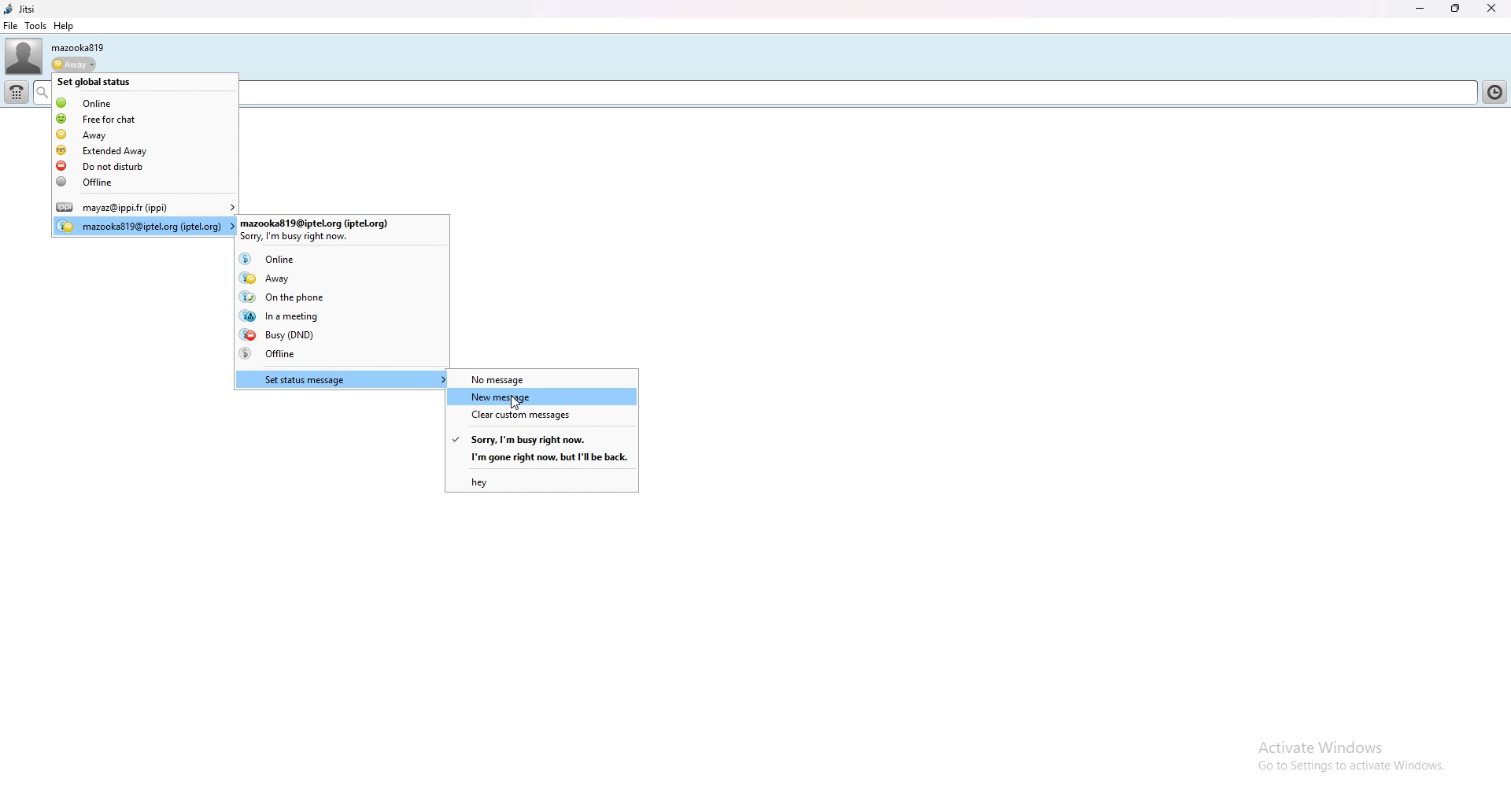  What do you see at coordinates (17, 93) in the screenshot?
I see `dialpad` at bounding box center [17, 93].